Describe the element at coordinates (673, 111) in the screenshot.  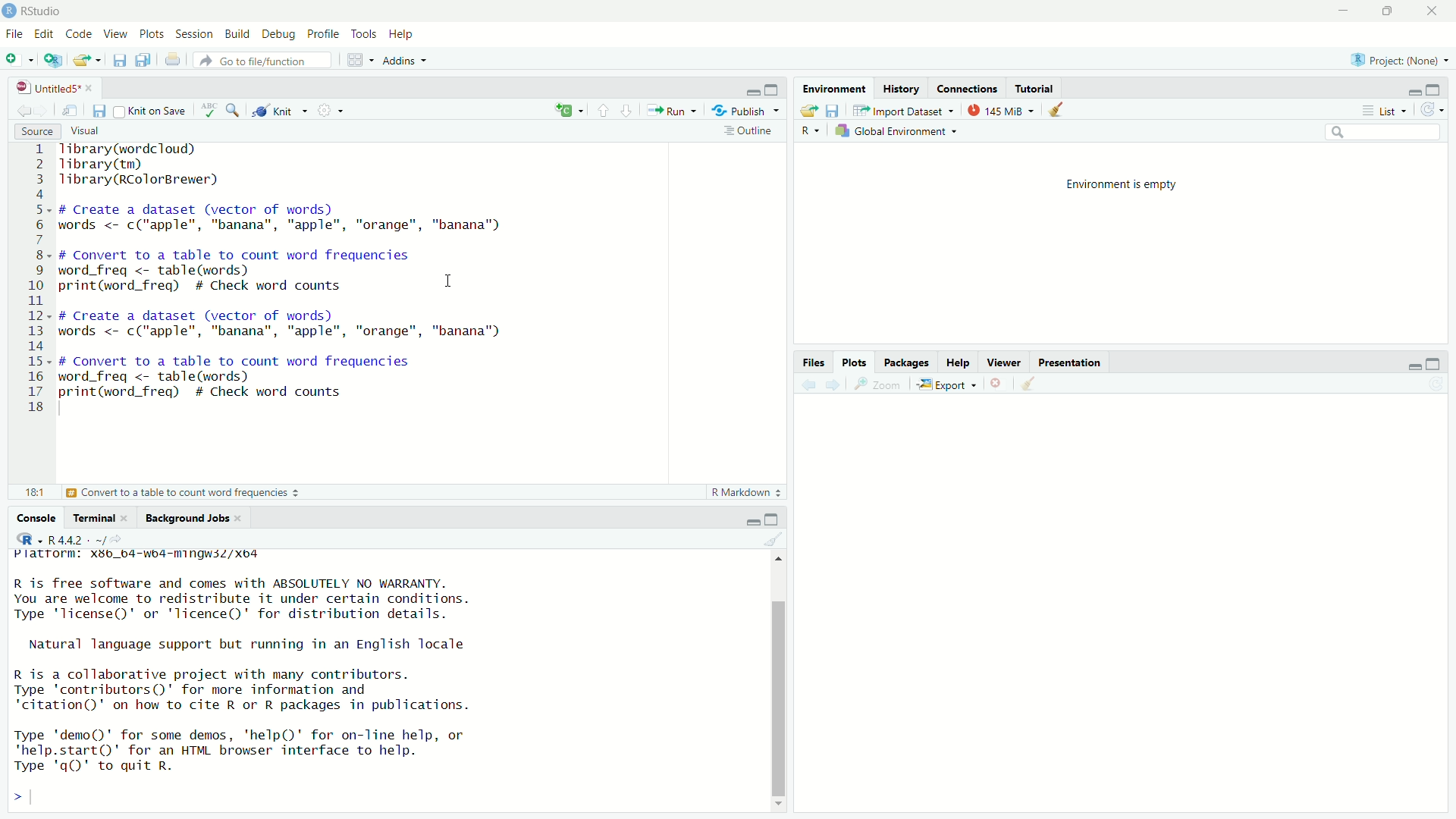
I see `Run` at that location.